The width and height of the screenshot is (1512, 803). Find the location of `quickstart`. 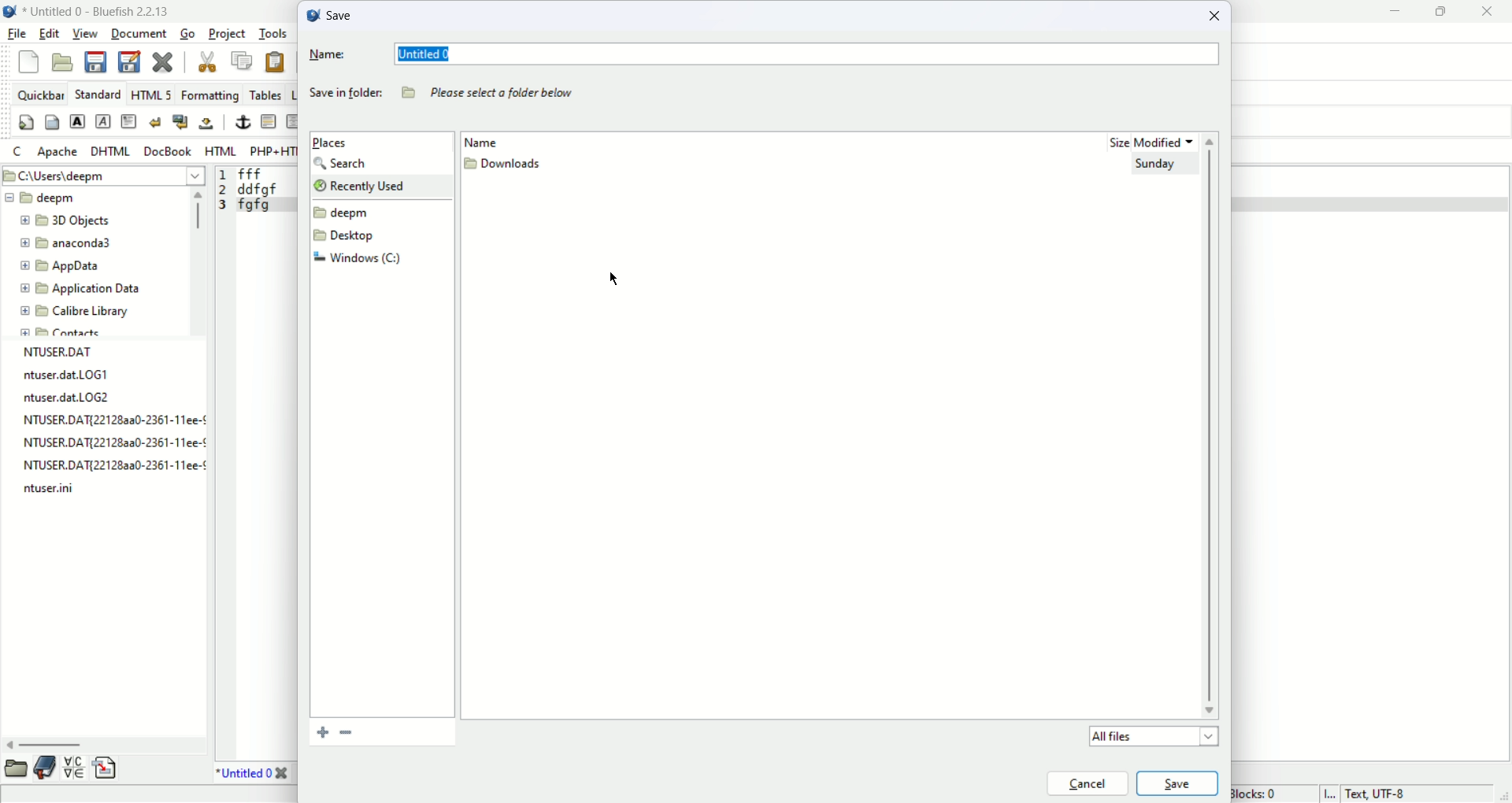

quickstart is located at coordinates (28, 122).